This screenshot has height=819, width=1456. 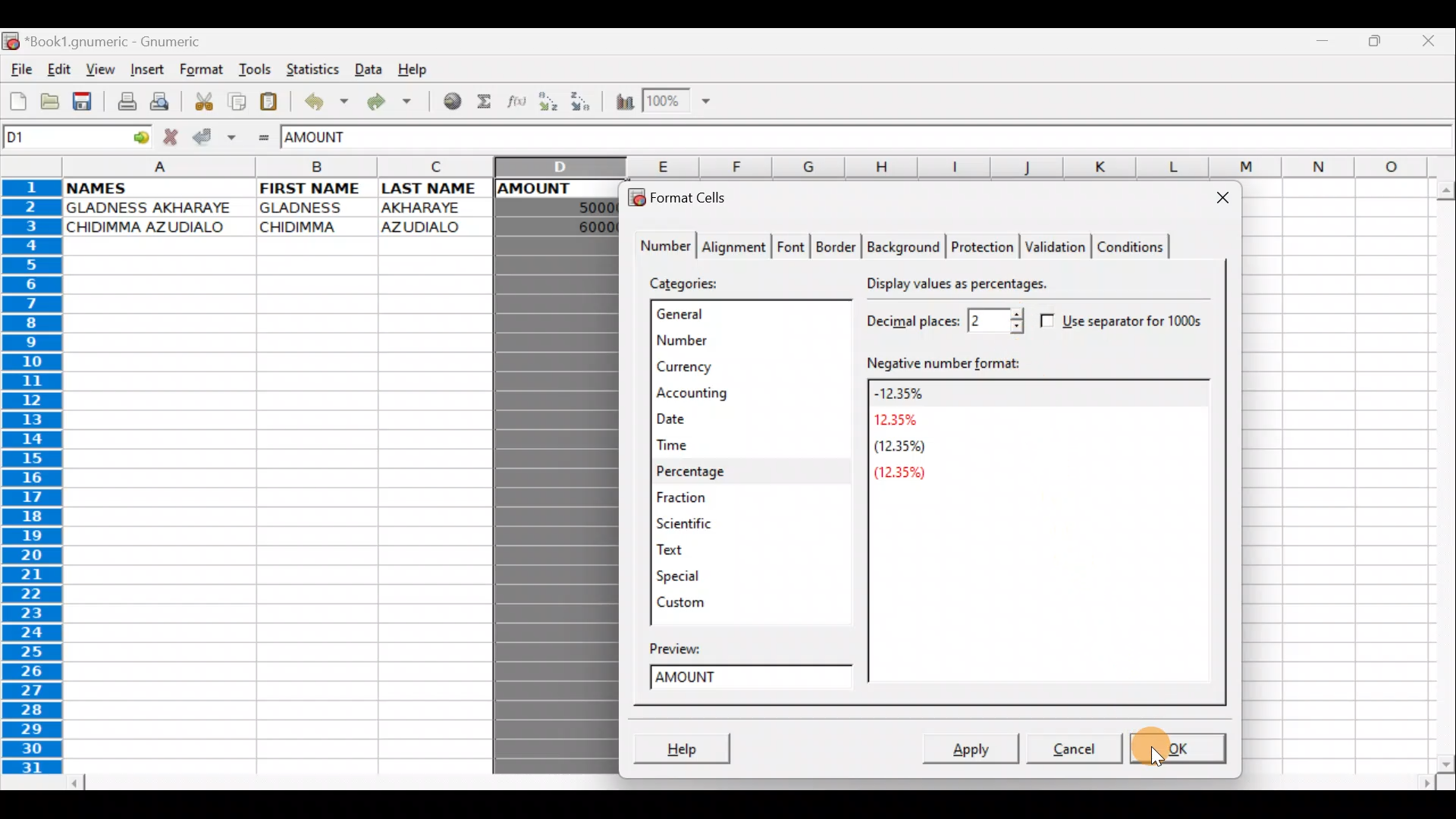 What do you see at coordinates (120, 188) in the screenshot?
I see `NAMES` at bounding box center [120, 188].